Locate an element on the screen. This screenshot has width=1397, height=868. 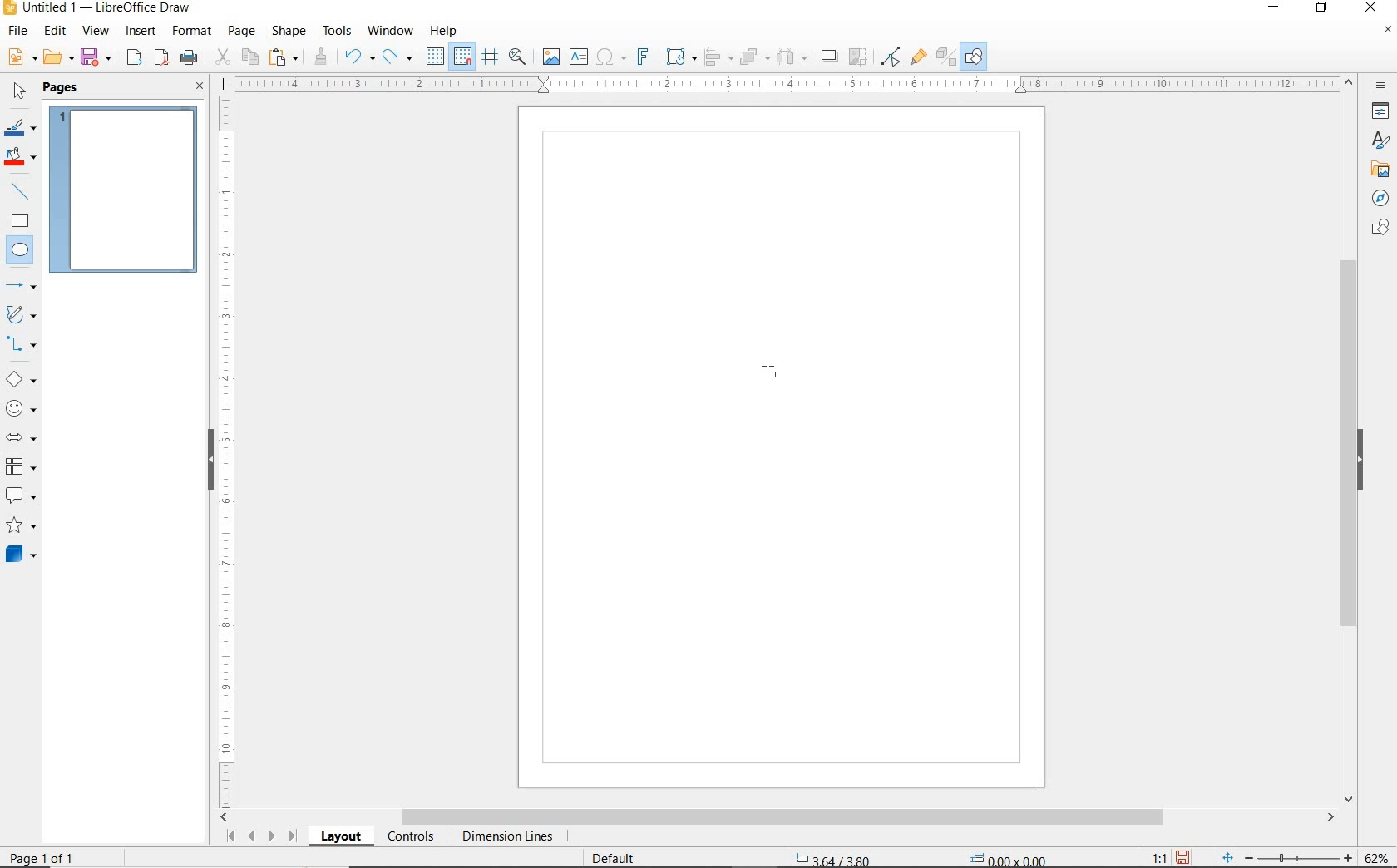
HELPLINES WHILE MOVING is located at coordinates (490, 57).